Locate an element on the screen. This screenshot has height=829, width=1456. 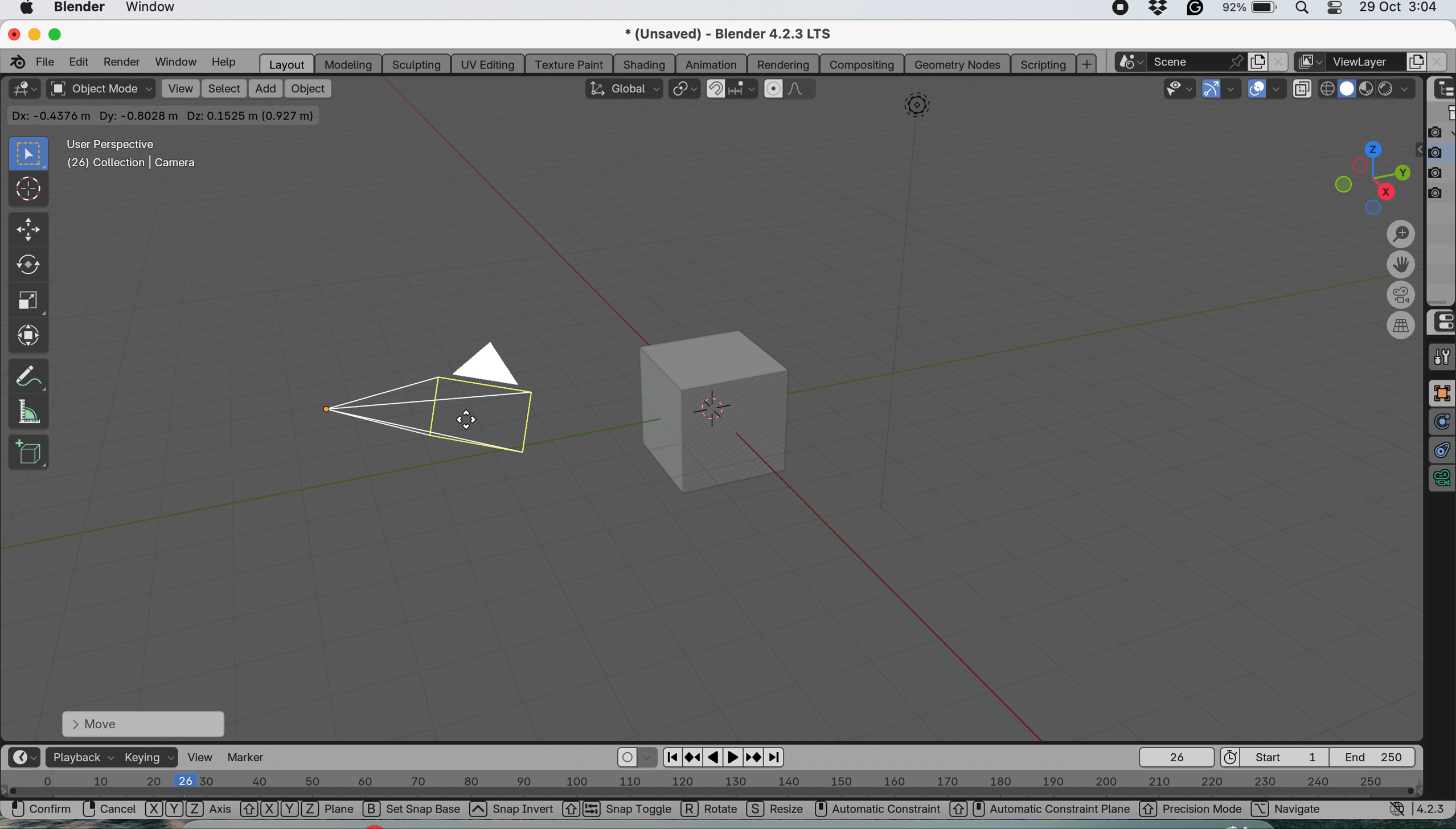
modeling is located at coordinates (346, 63).